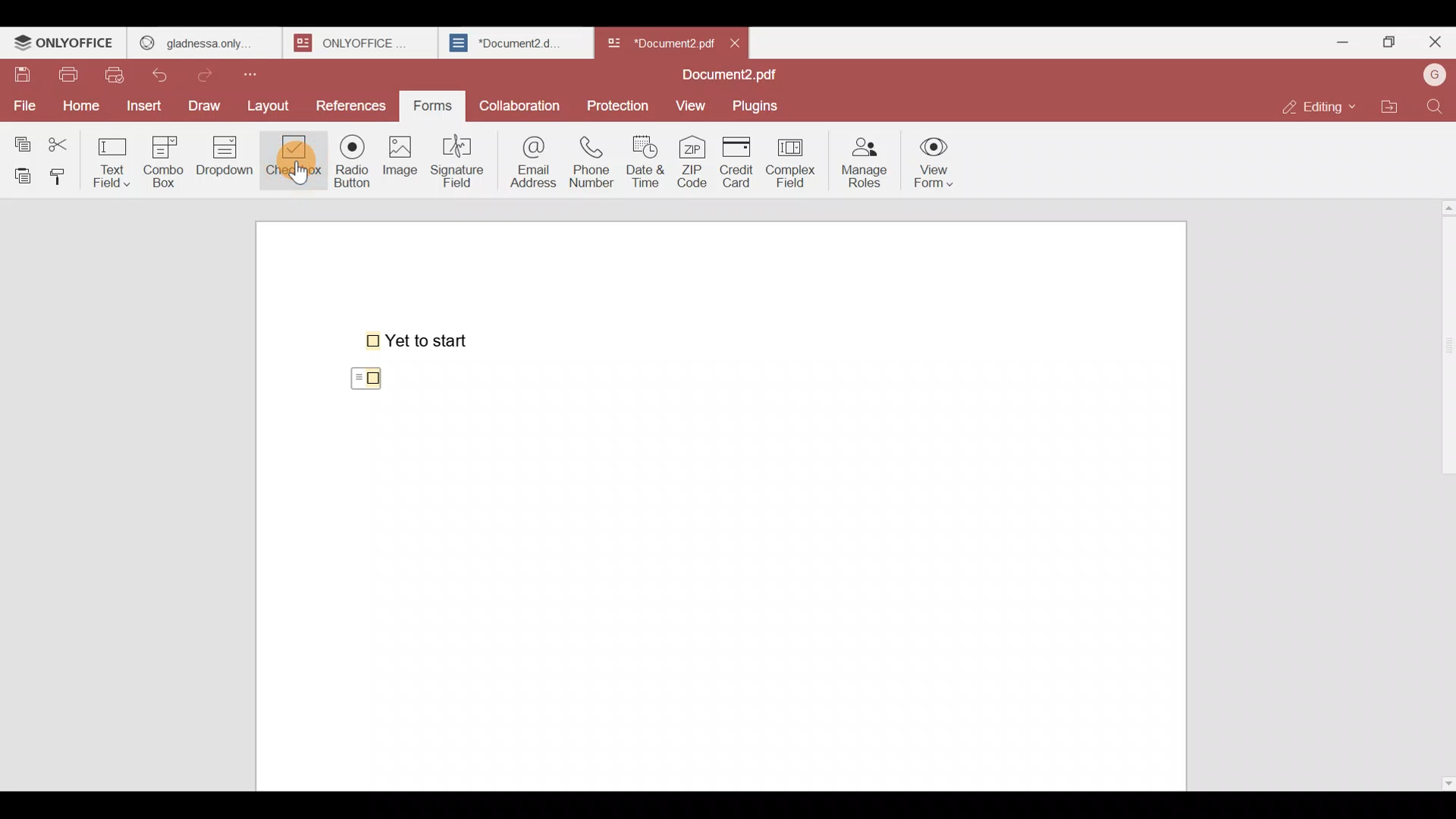  Describe the element at coordinates (936, 163) in the screenshot. I see `View form` at that location.